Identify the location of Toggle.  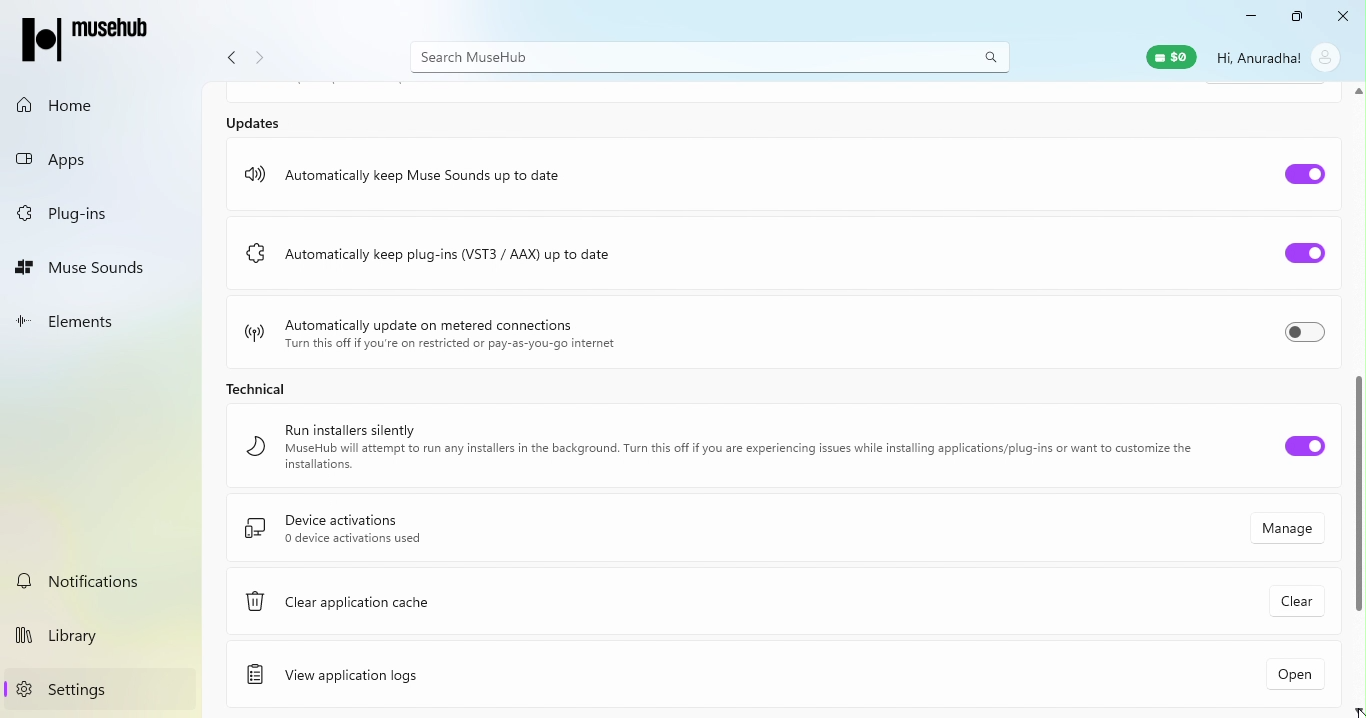
(1301, 452).